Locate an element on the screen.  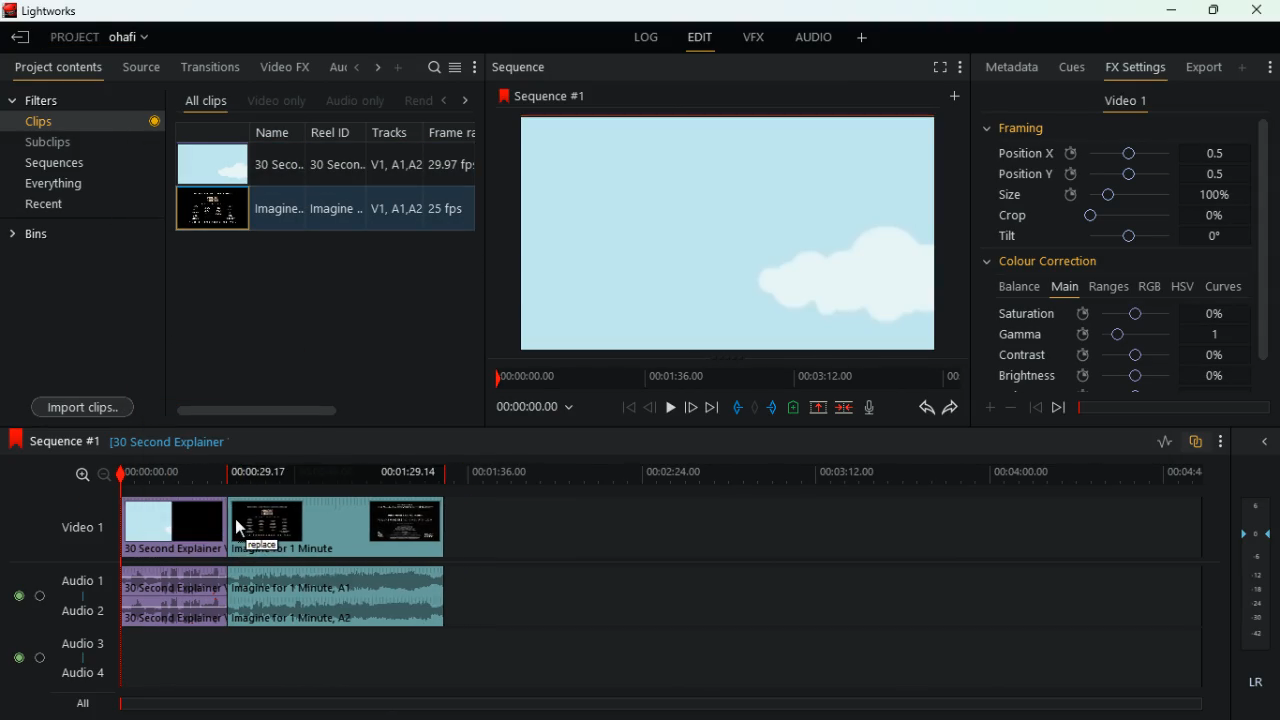
hsv is located at coordinates (1181, 285).